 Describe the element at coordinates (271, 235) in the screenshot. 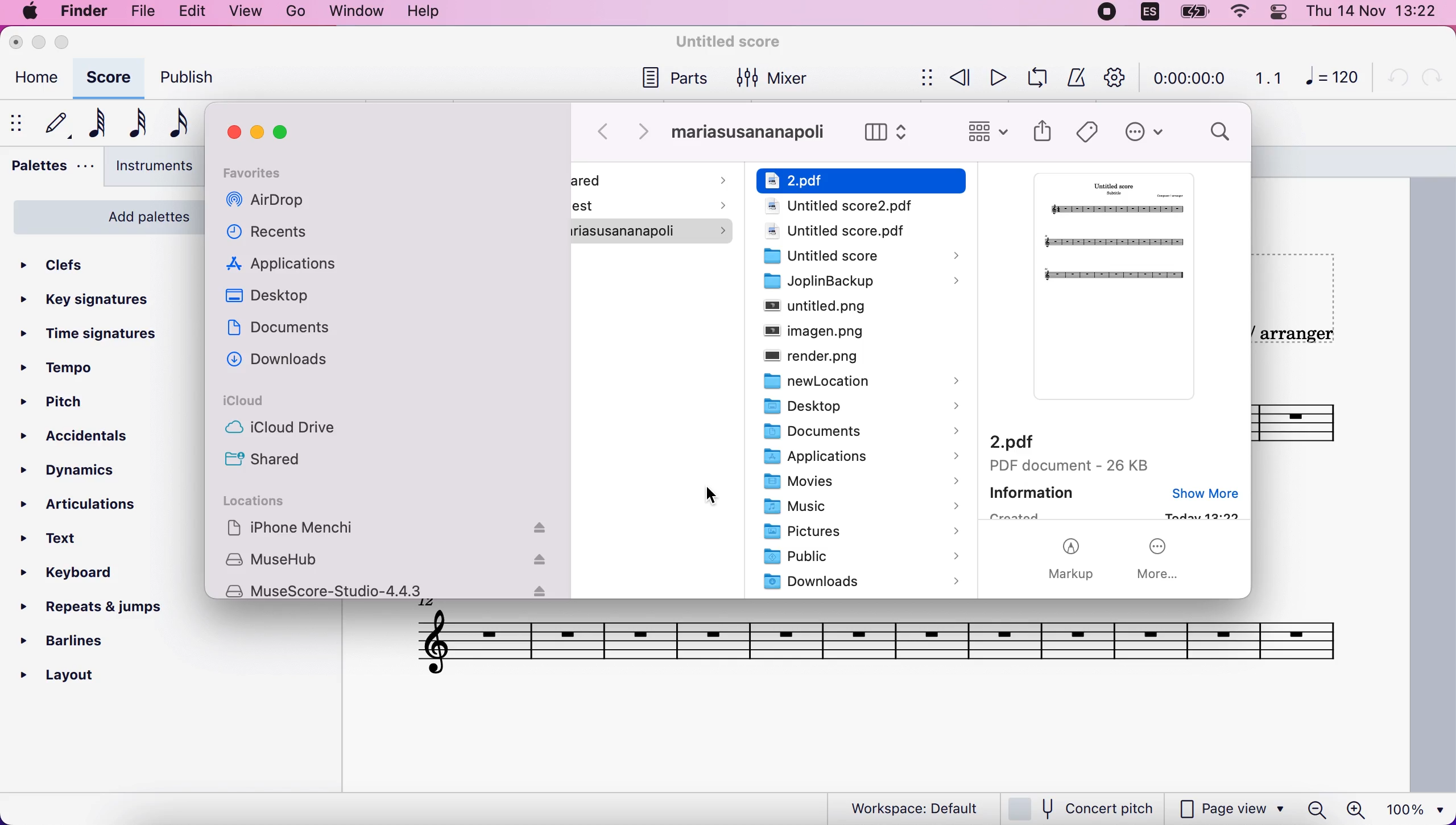

I see `recents` at that location.